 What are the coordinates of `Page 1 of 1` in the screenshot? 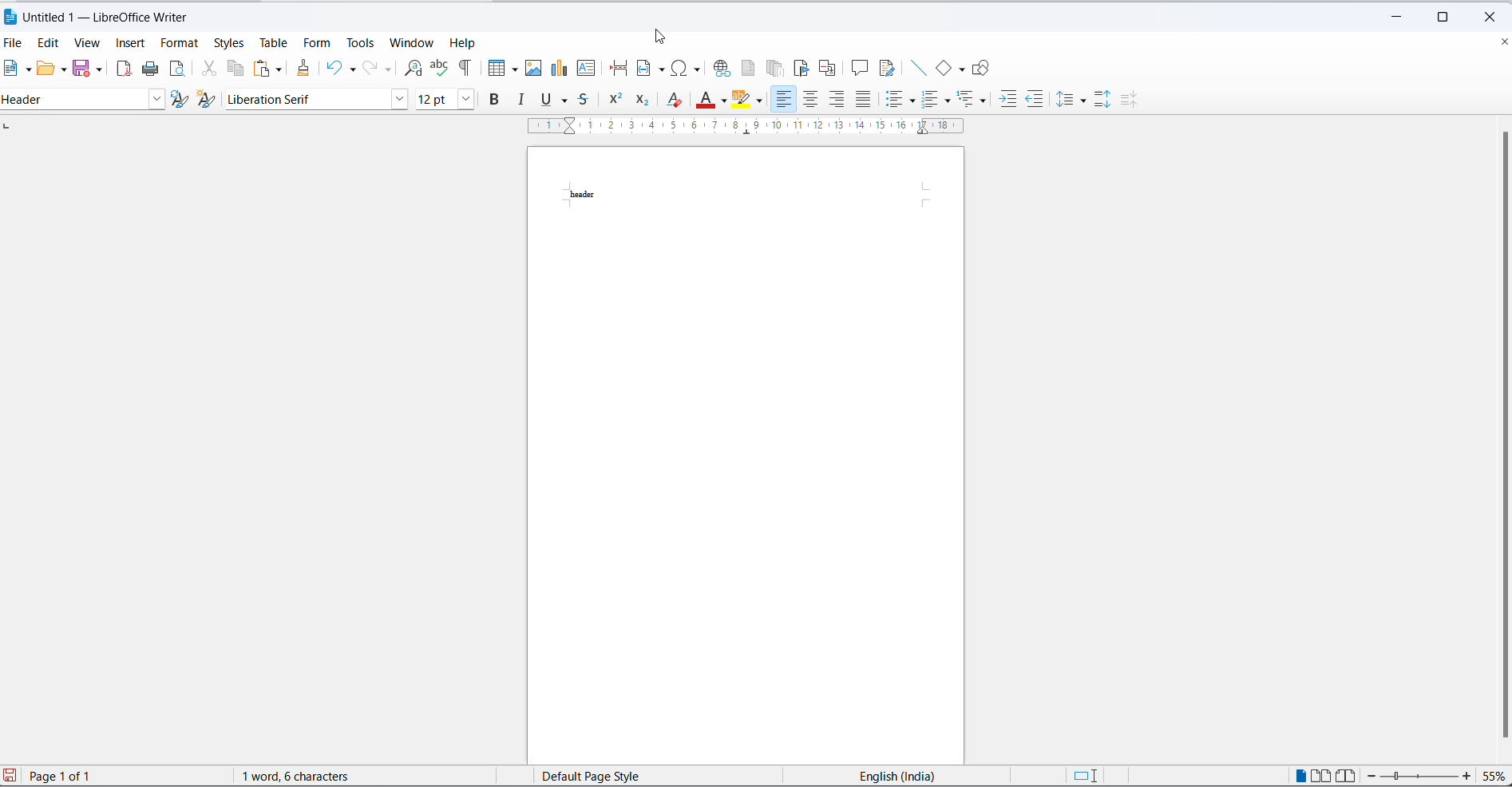 It's located at (86, 776).